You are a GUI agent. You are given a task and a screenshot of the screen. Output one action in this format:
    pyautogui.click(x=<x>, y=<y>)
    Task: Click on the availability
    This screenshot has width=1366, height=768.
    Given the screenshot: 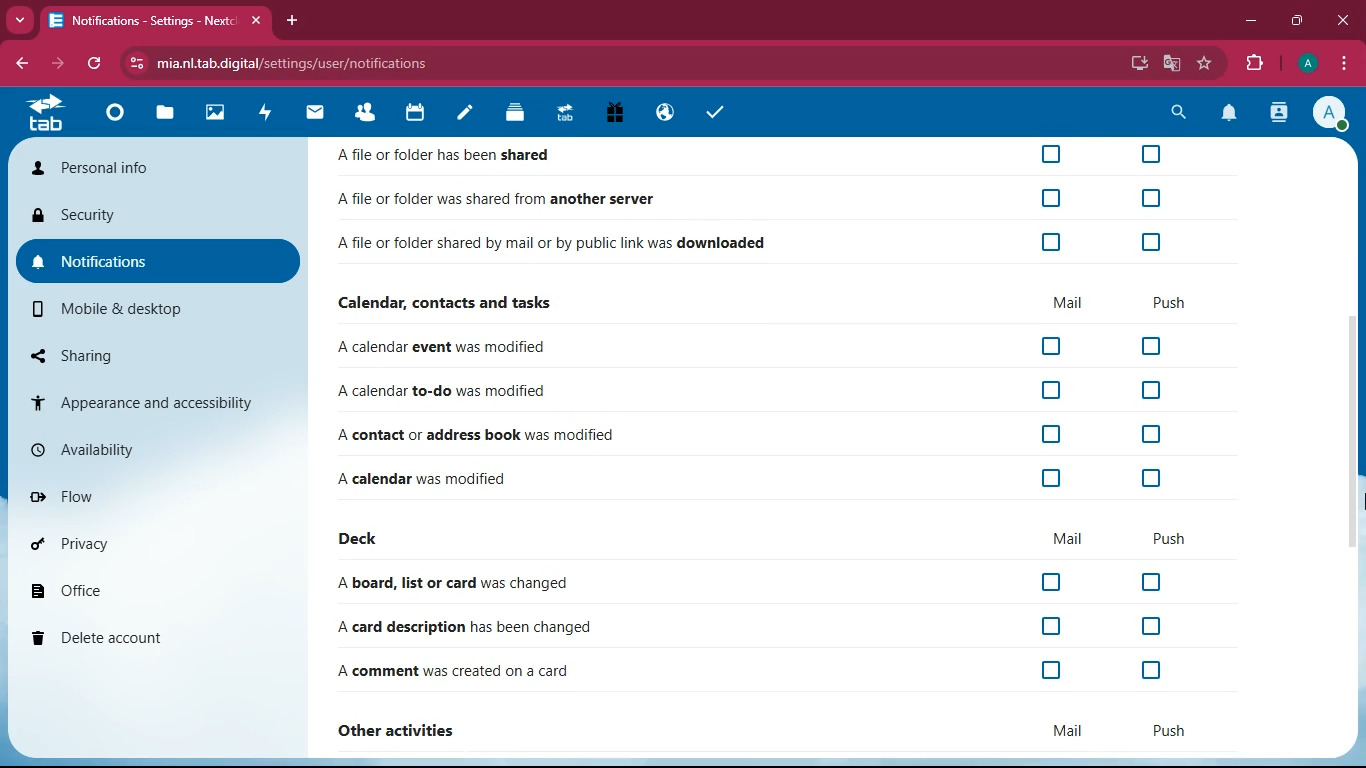 What is the action you would take?
    pyautogui.click(x=156, y=447)
    